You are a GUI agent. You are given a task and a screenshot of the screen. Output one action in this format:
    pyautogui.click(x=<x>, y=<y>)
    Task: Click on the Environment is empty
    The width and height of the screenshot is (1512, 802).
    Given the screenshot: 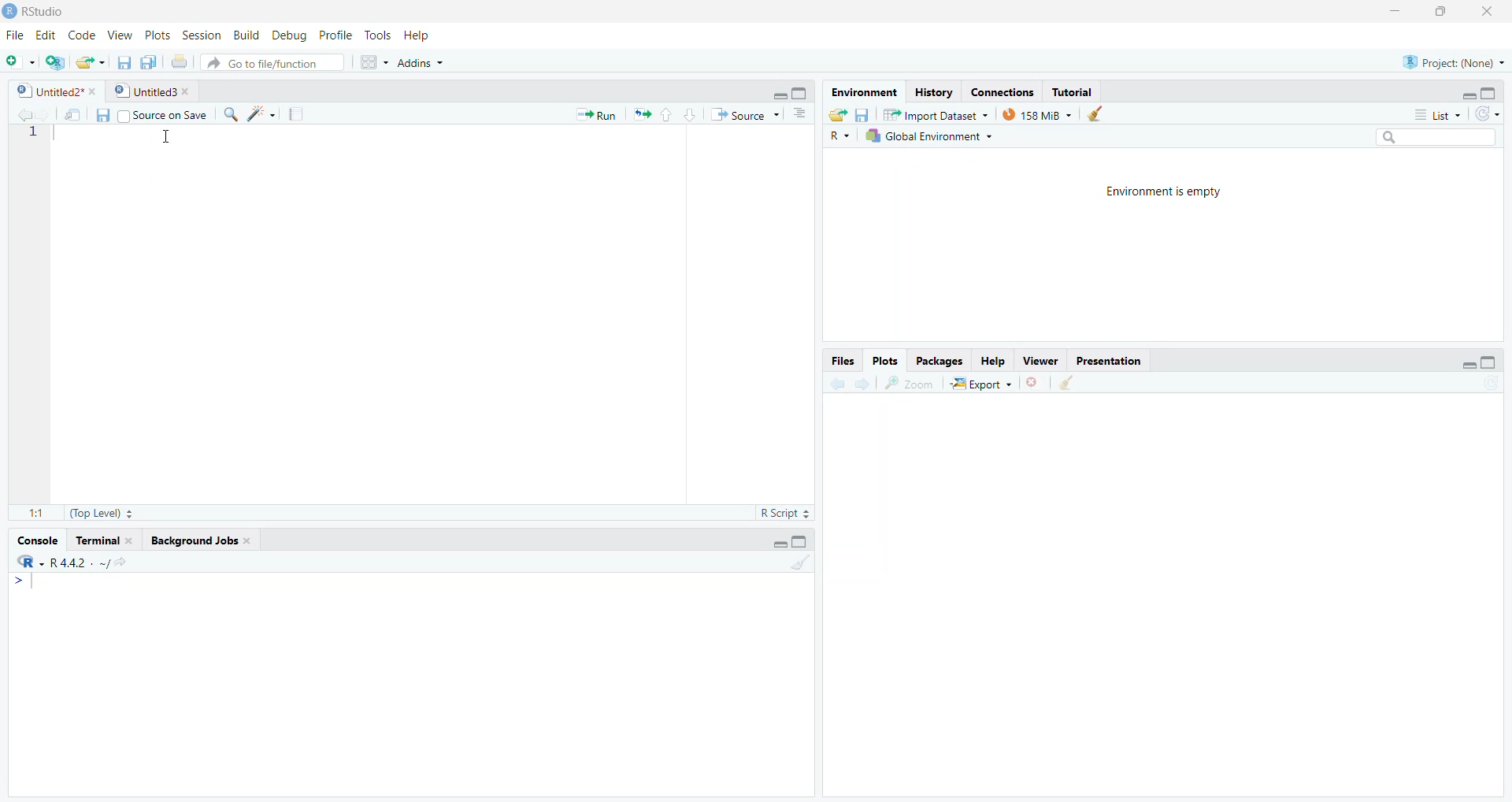 What is the action you would take?
    pyautogui.click(x=1161, y=245)
    